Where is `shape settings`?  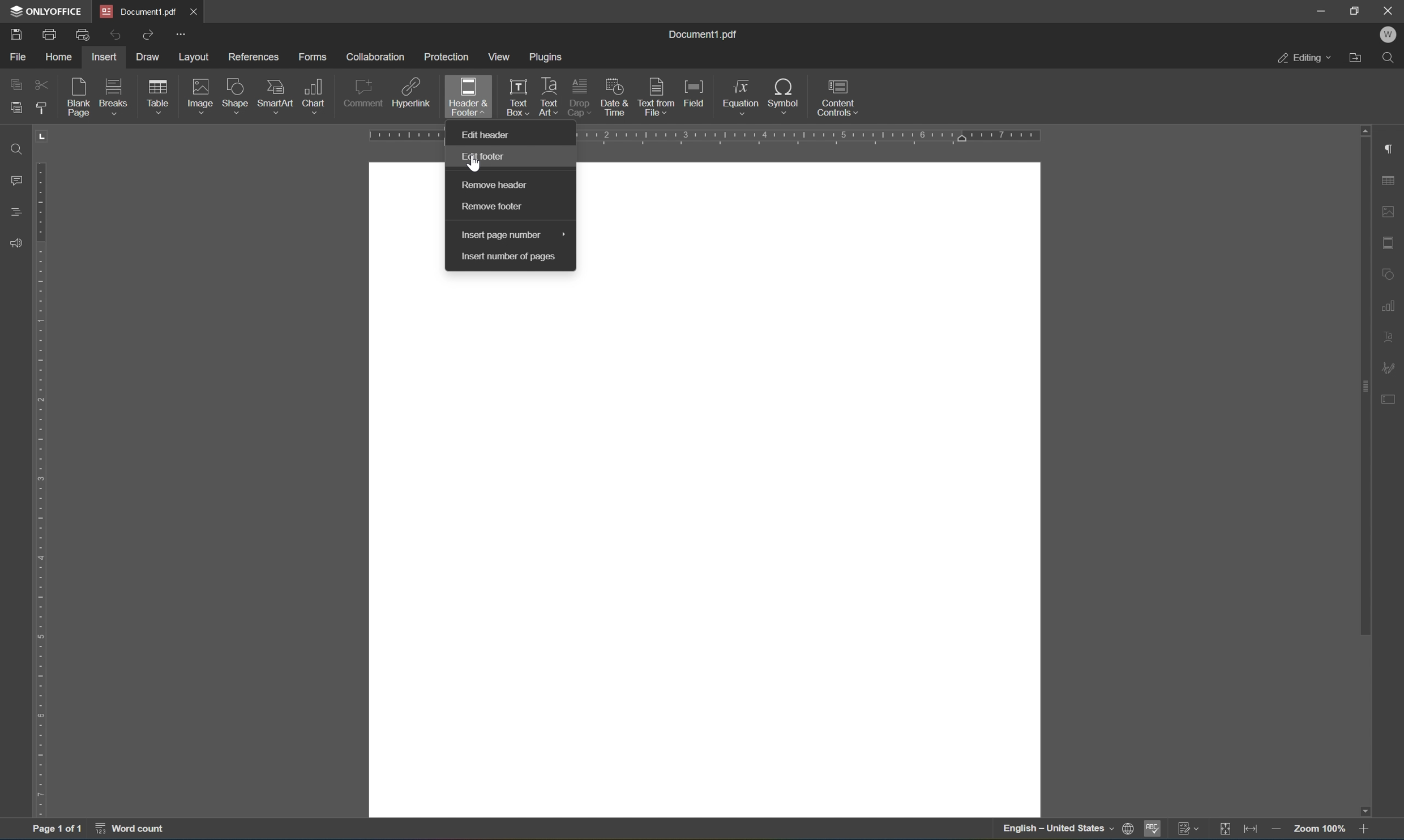
shape settings is located at coordinates (1391, 272).